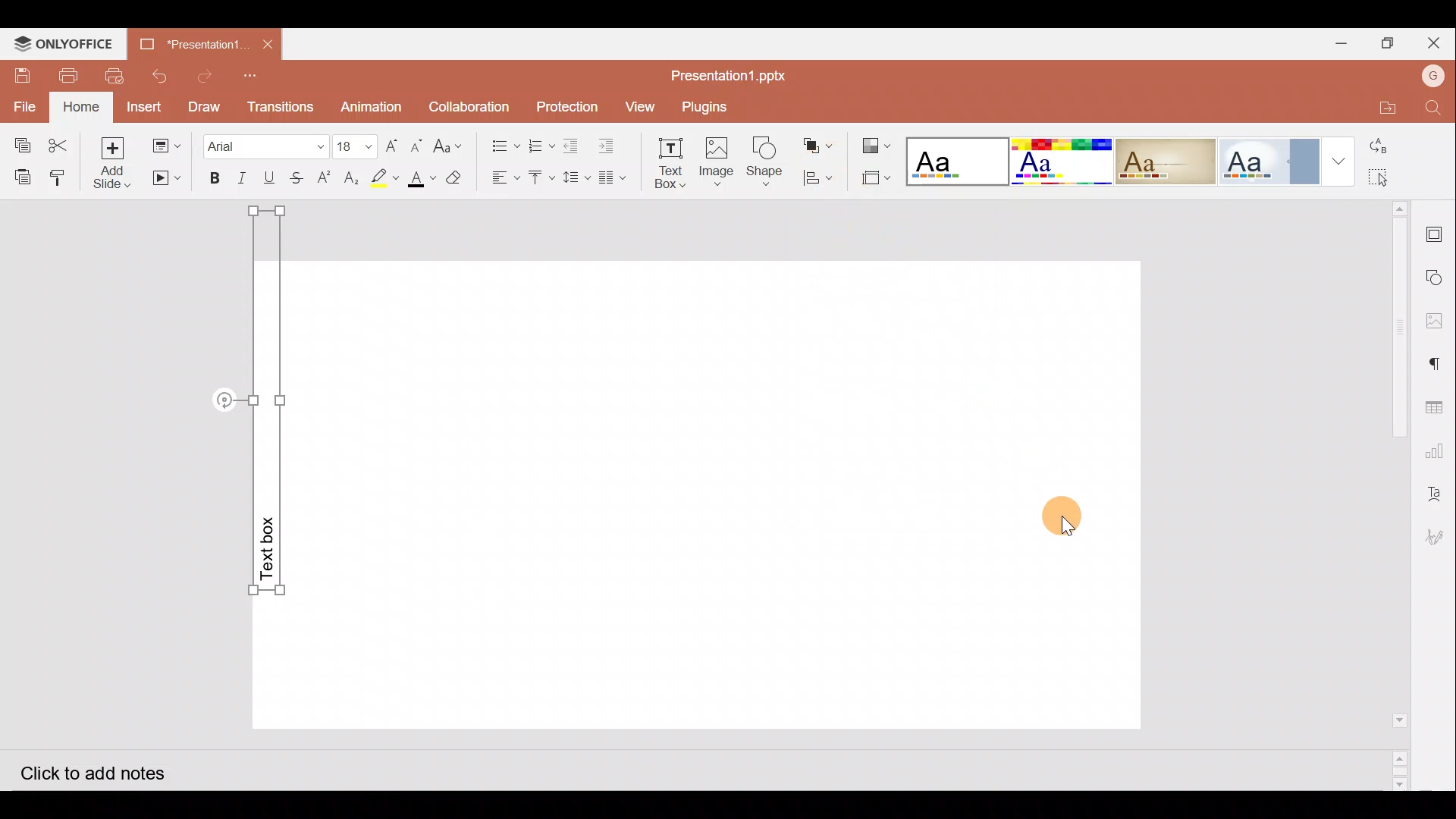 The width and height of the screenshot is (1456, 819). I want to click on Insert Image, so click(715, 162).